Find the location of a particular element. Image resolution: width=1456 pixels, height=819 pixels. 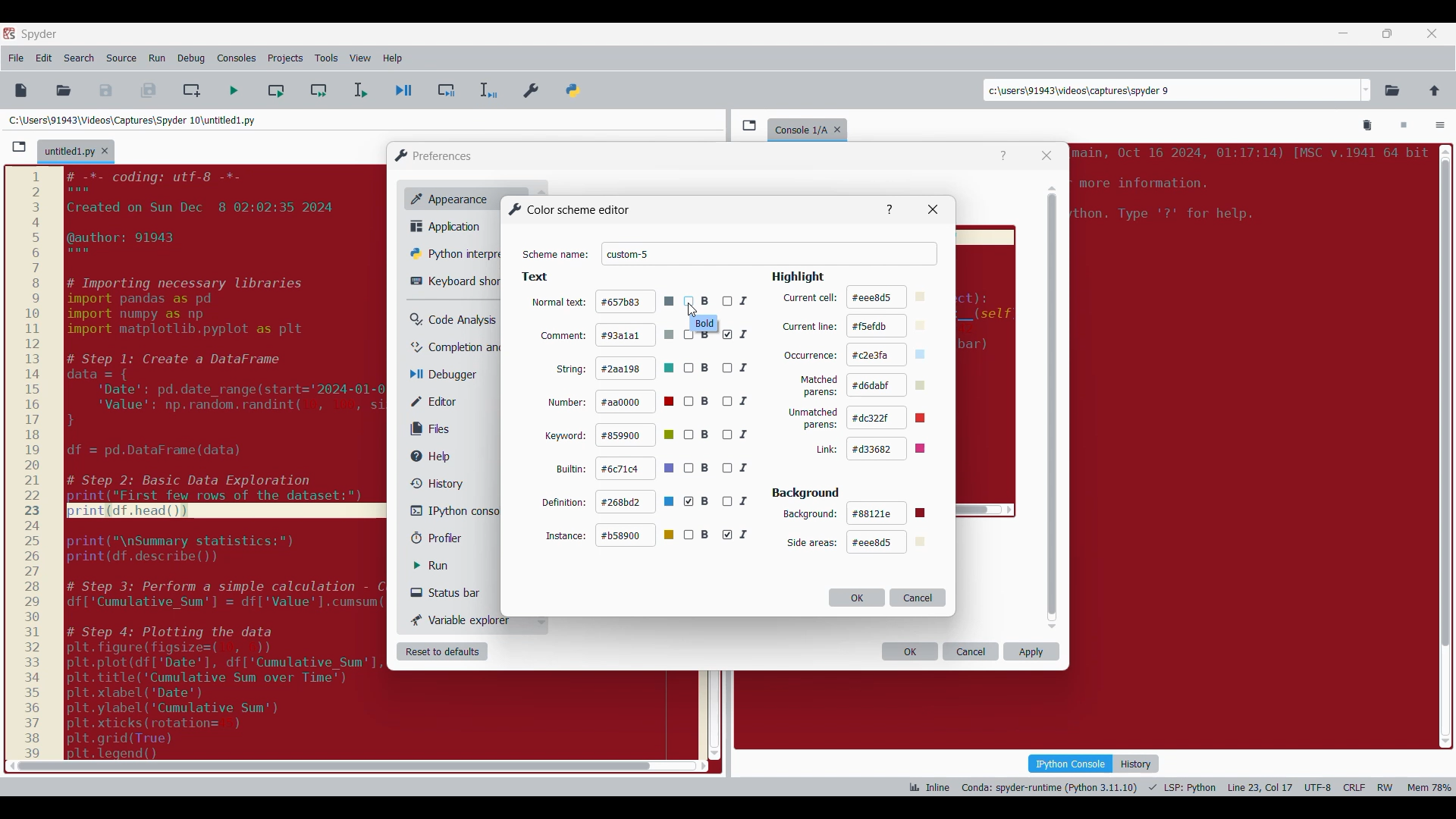

code is located at coordinates (1247, 190).